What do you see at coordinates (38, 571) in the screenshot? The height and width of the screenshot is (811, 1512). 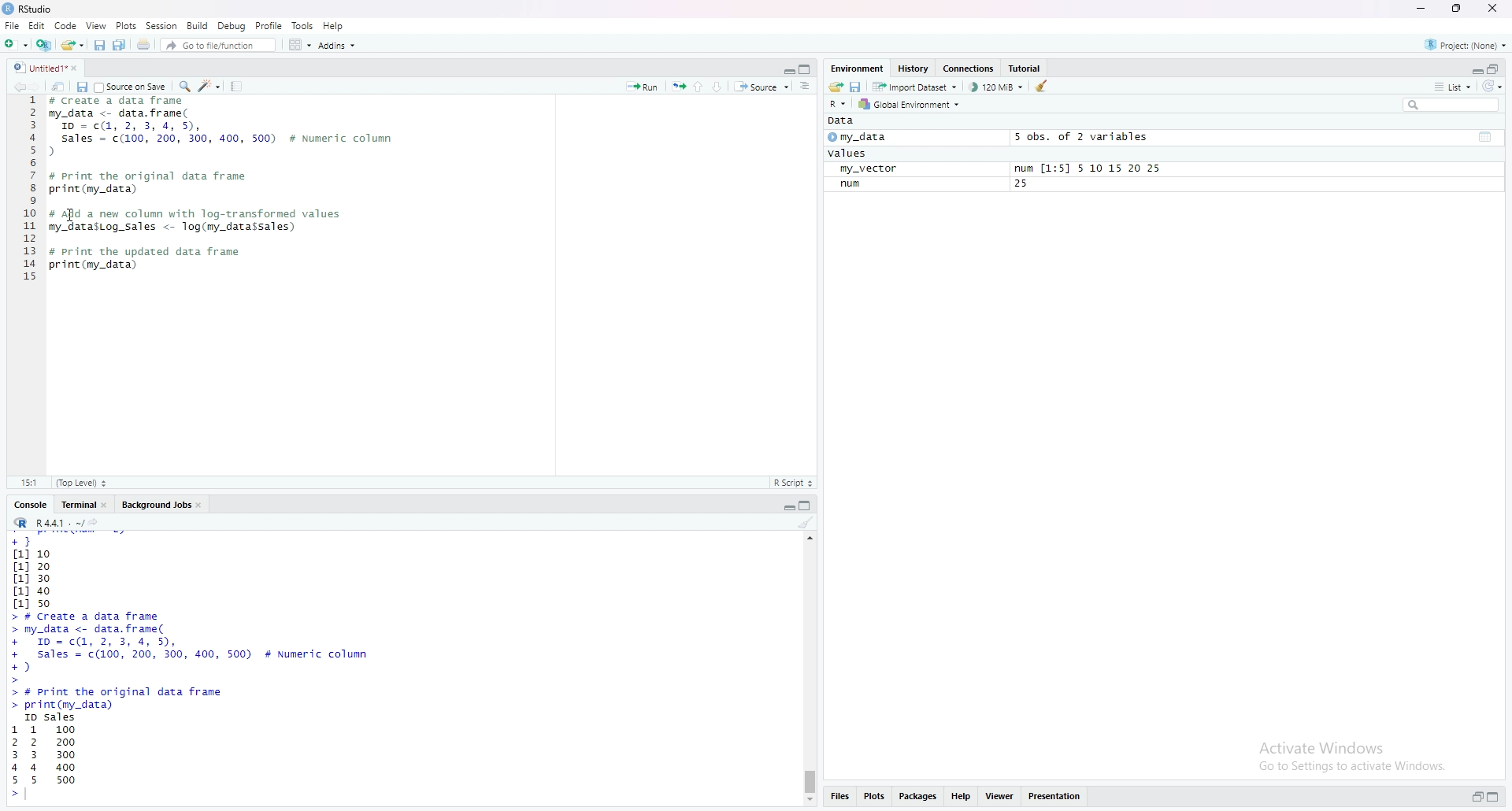 I see `numerical data` at bounding box center [38, 571].